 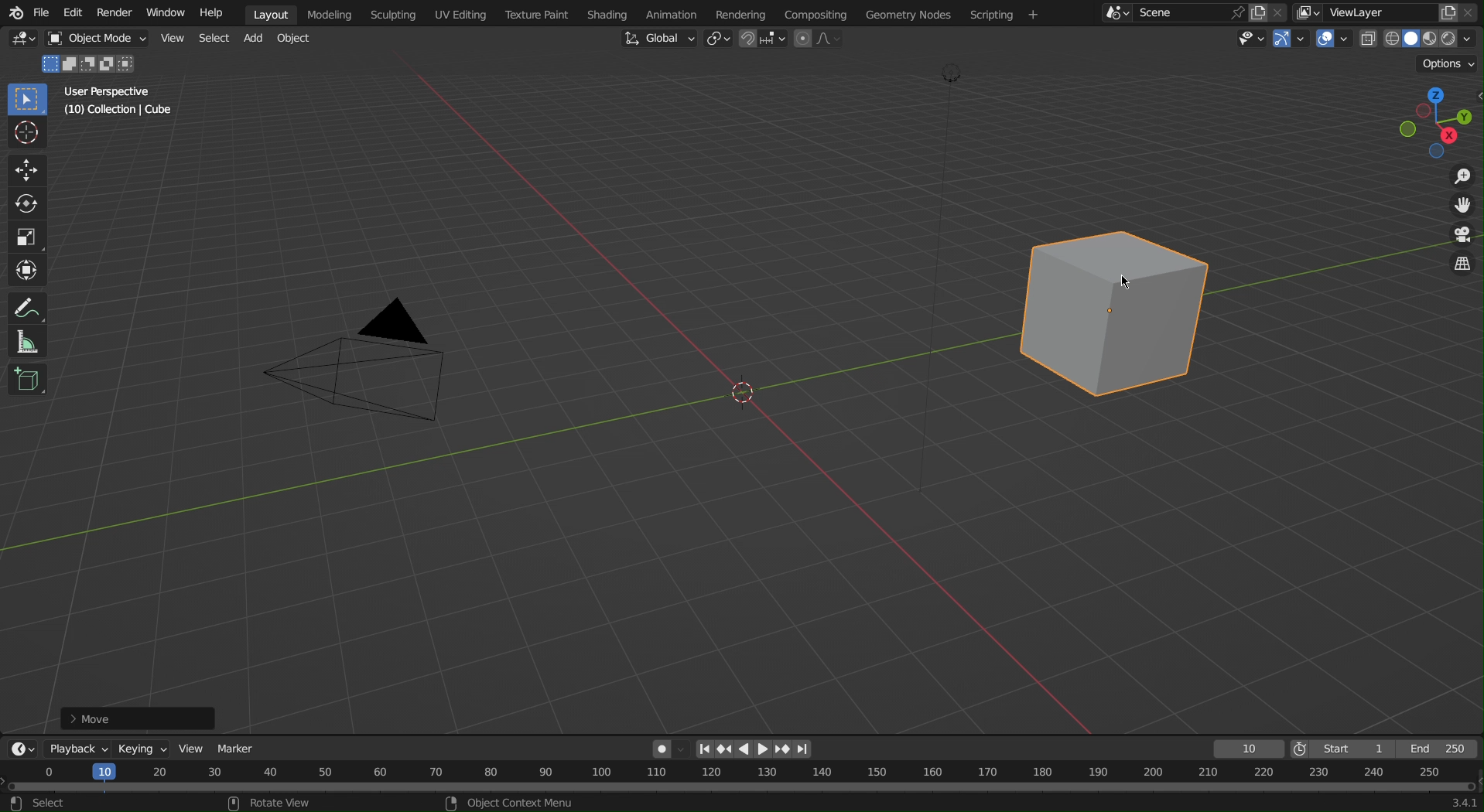 What do you see at coordinates (365, 370) in the screenshot?
I see `Camera` at bounding box center [365, 370].